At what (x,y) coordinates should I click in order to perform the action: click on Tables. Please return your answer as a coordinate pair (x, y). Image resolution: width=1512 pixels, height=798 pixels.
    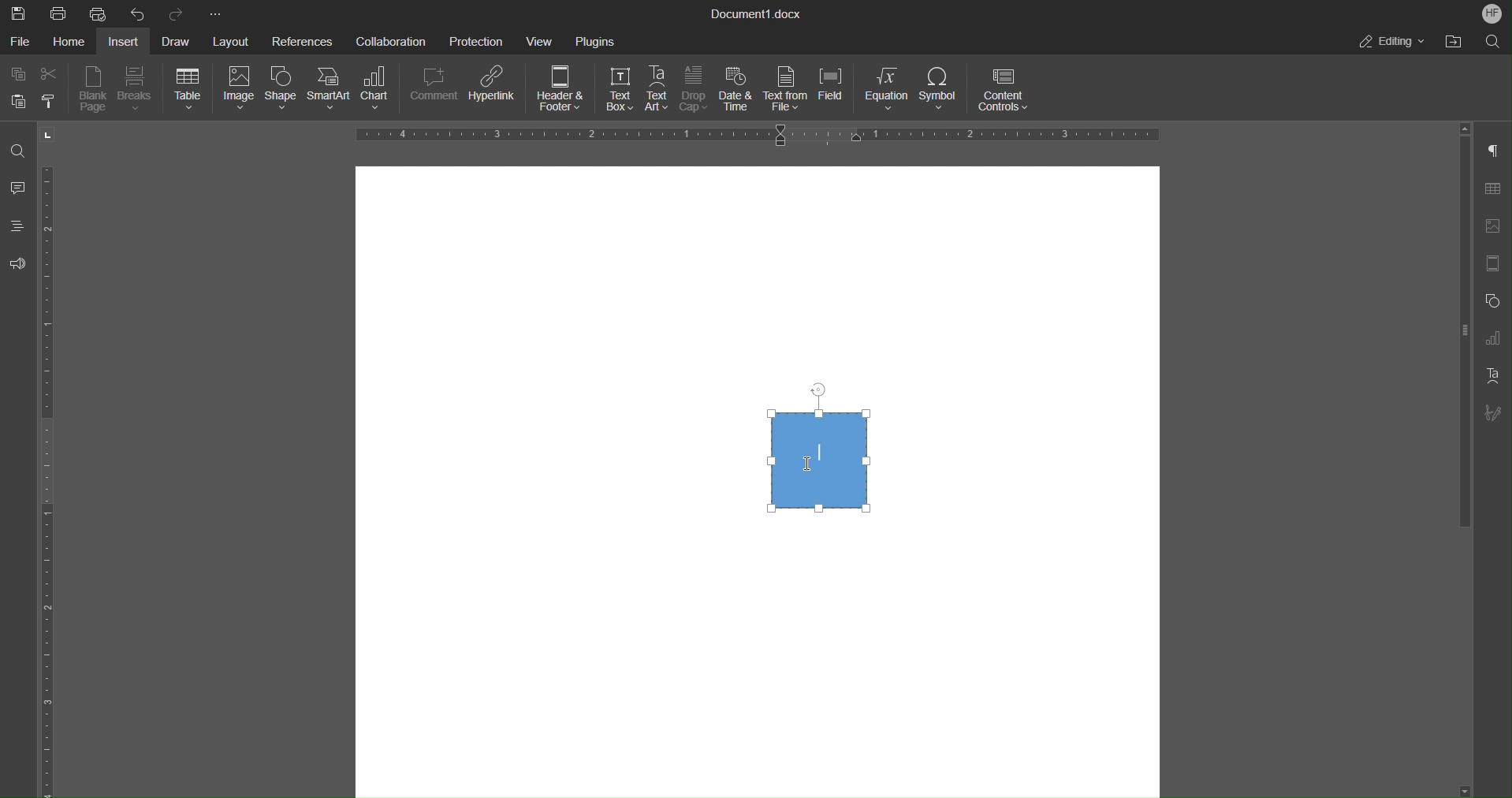
    Looking at the image, I should click on (1498, 188).